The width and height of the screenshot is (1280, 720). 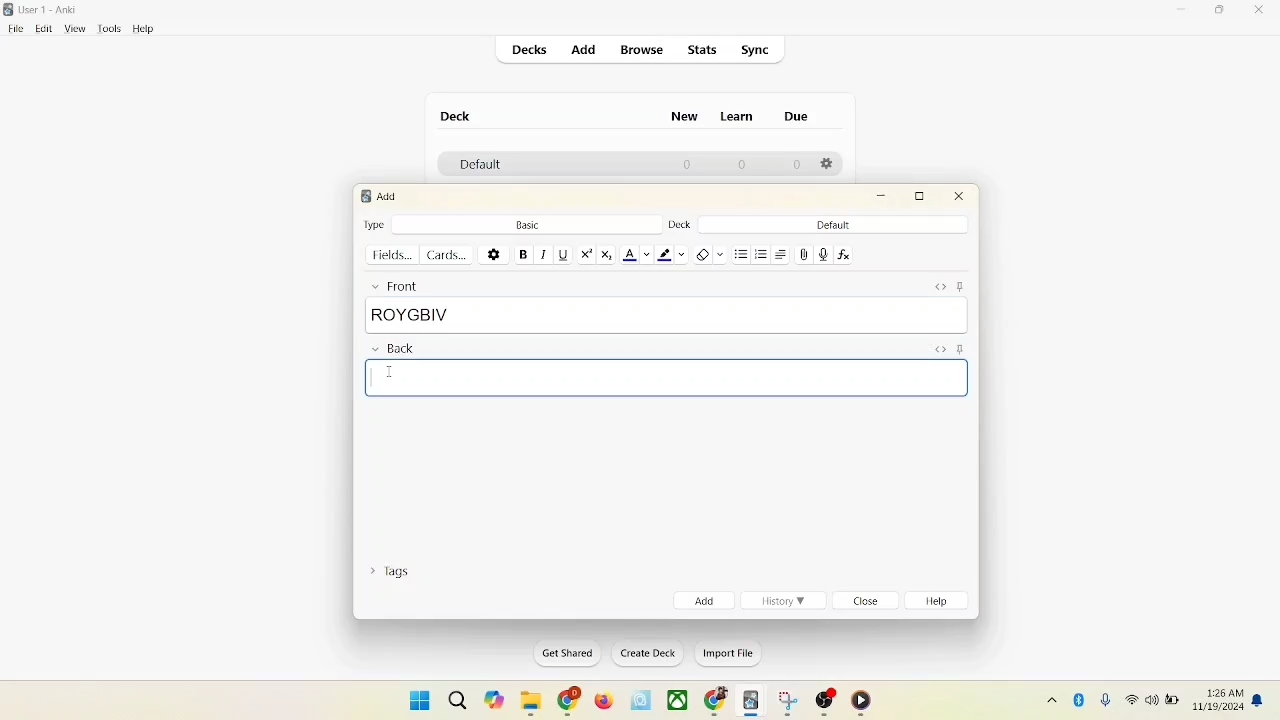 What do you see at coordinates (582, 49) in the screenshot?
I see `add` at bounding box center [582, 49].